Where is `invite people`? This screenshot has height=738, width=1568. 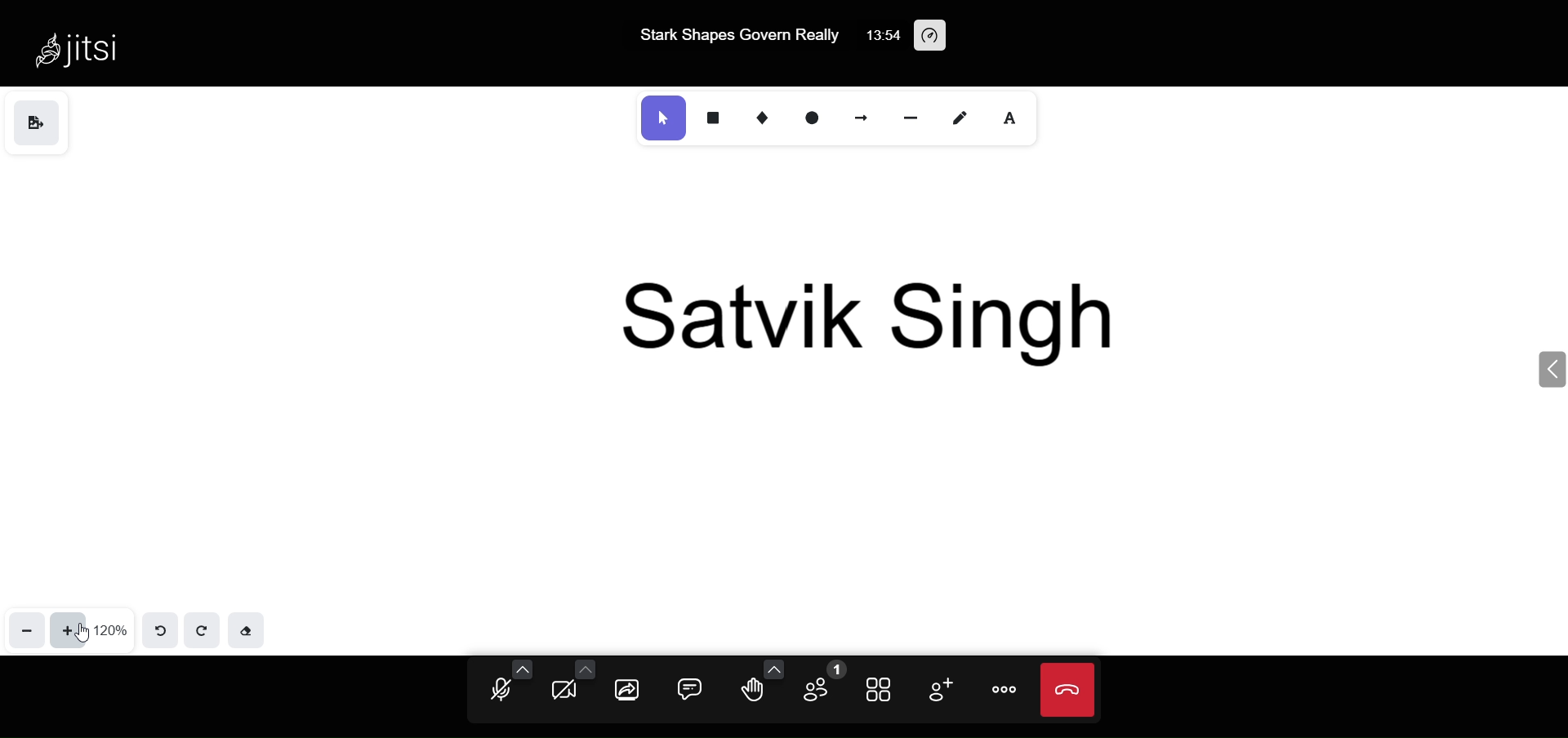 invite people is located at coordinates (941, 688).